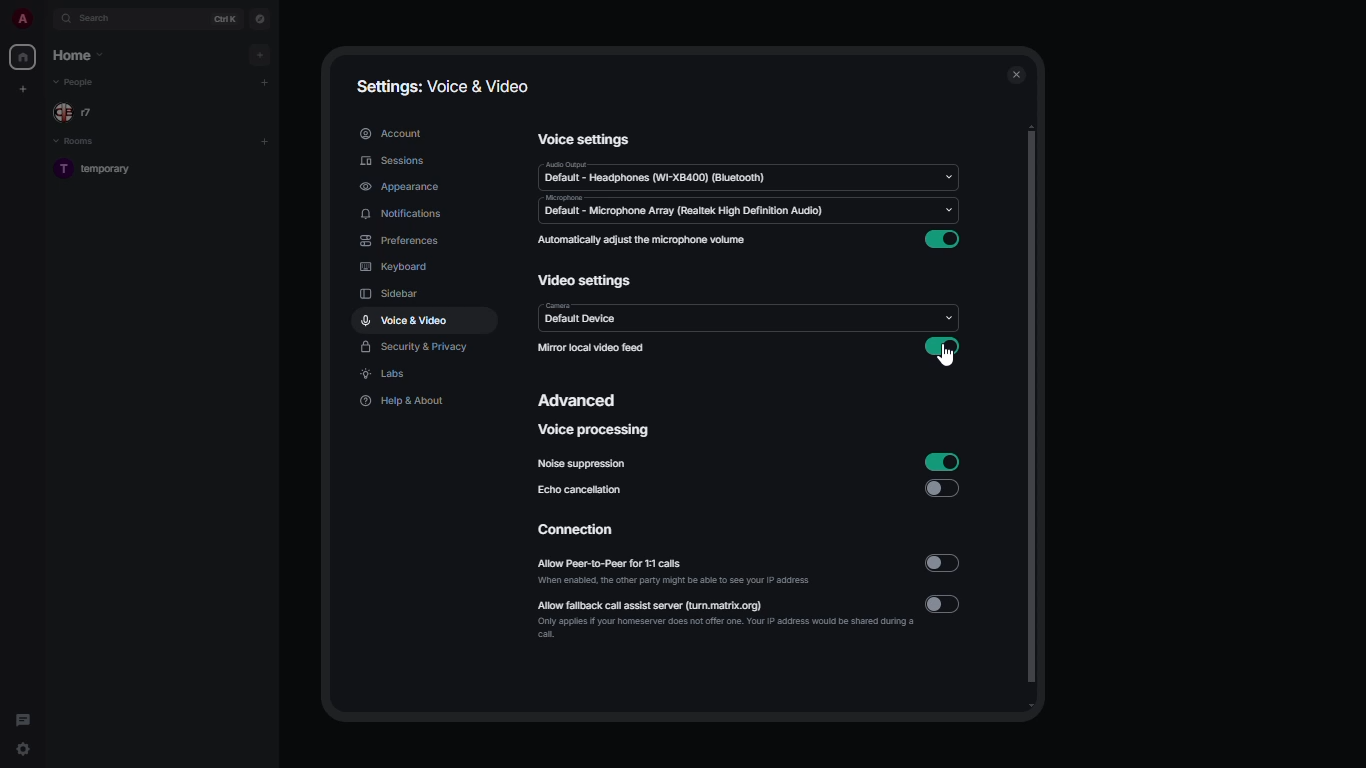 The height and width of the screenshot is (768, 1366). Describe the element at coordinates (264, 141) in the screenshot. I see `add` at that location.